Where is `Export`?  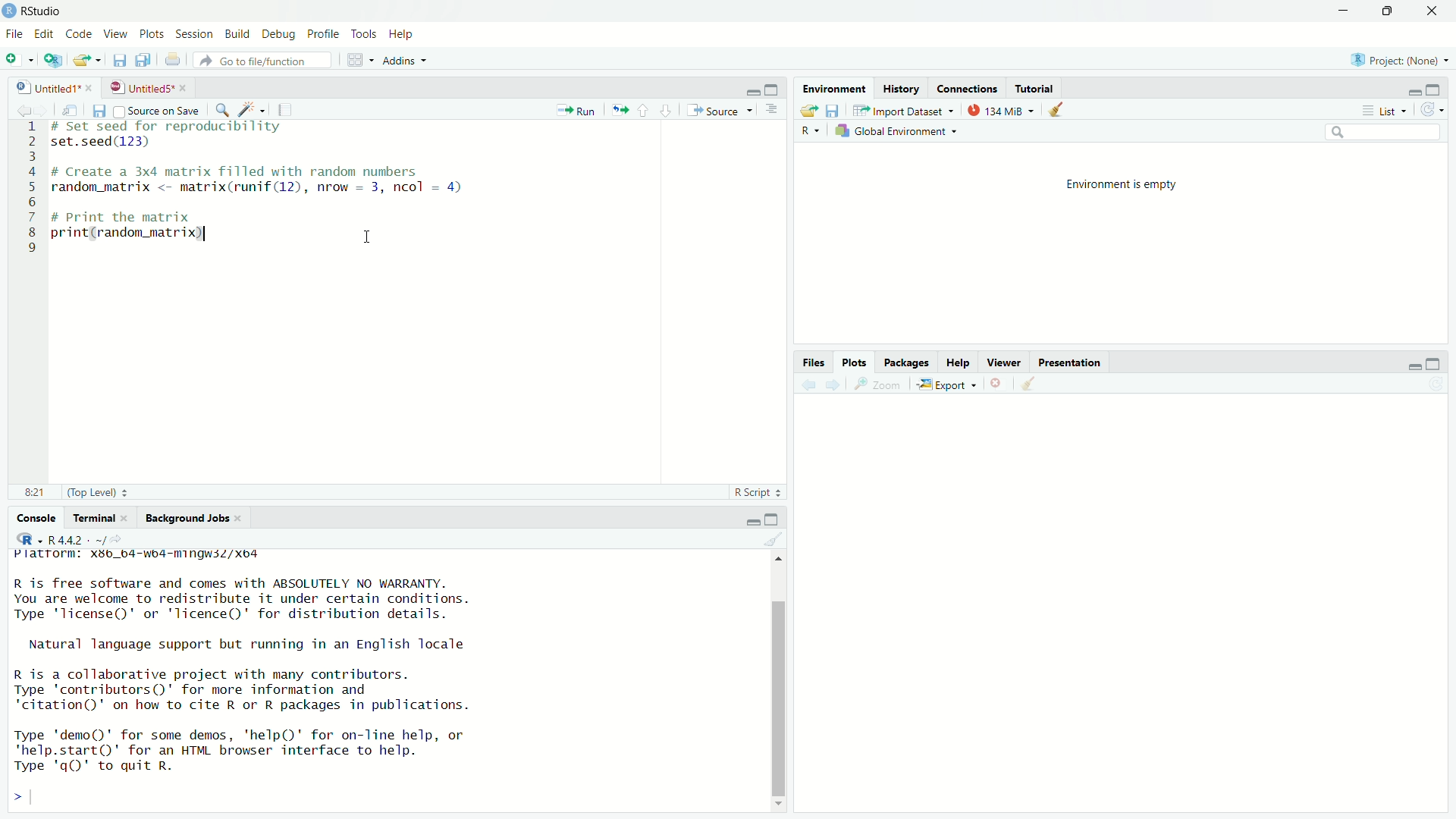 Export is located at coordinates (944, 386).